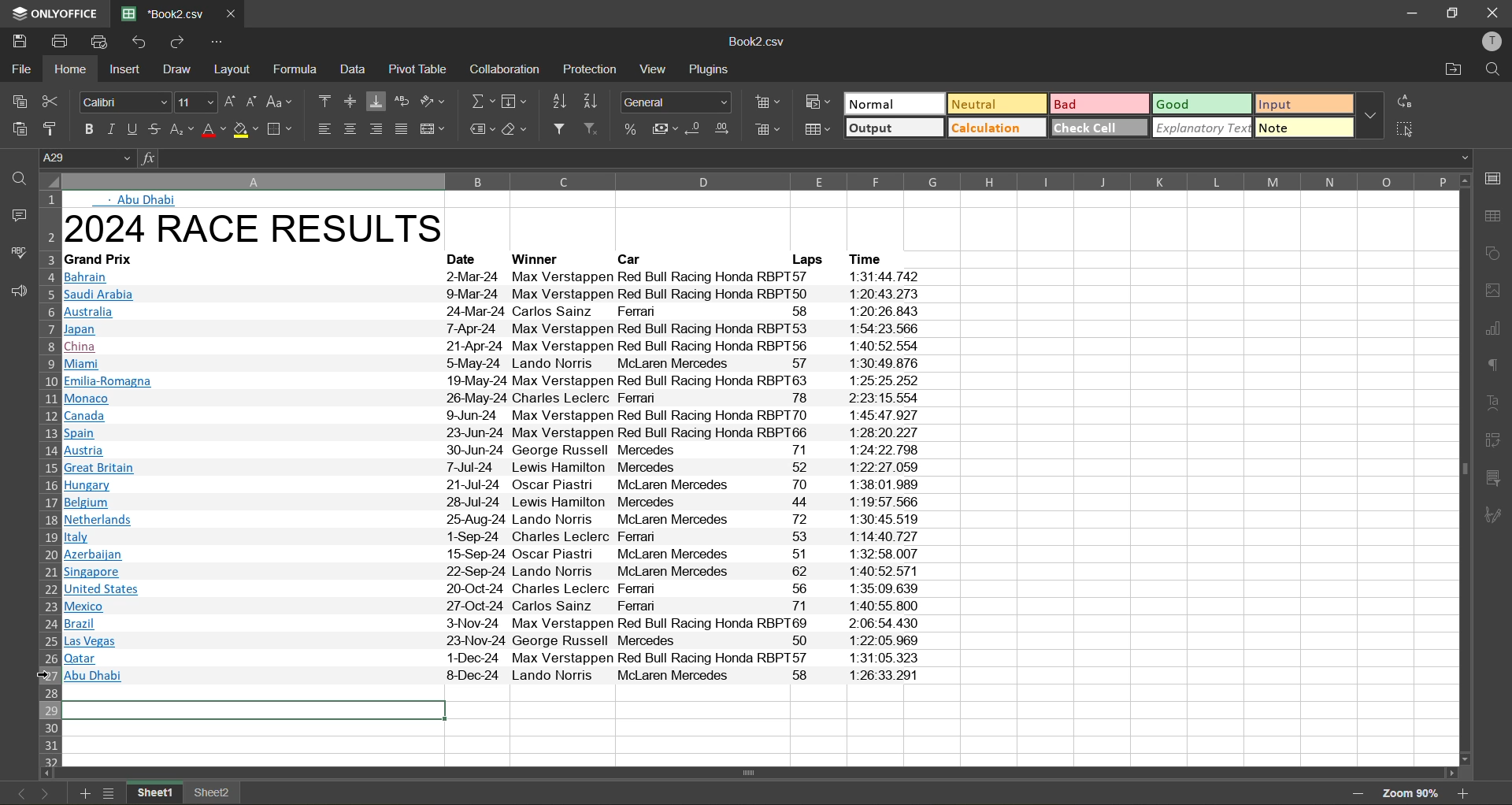 The image size is (1512, 805). I want to click on note, so click(1304, 128).